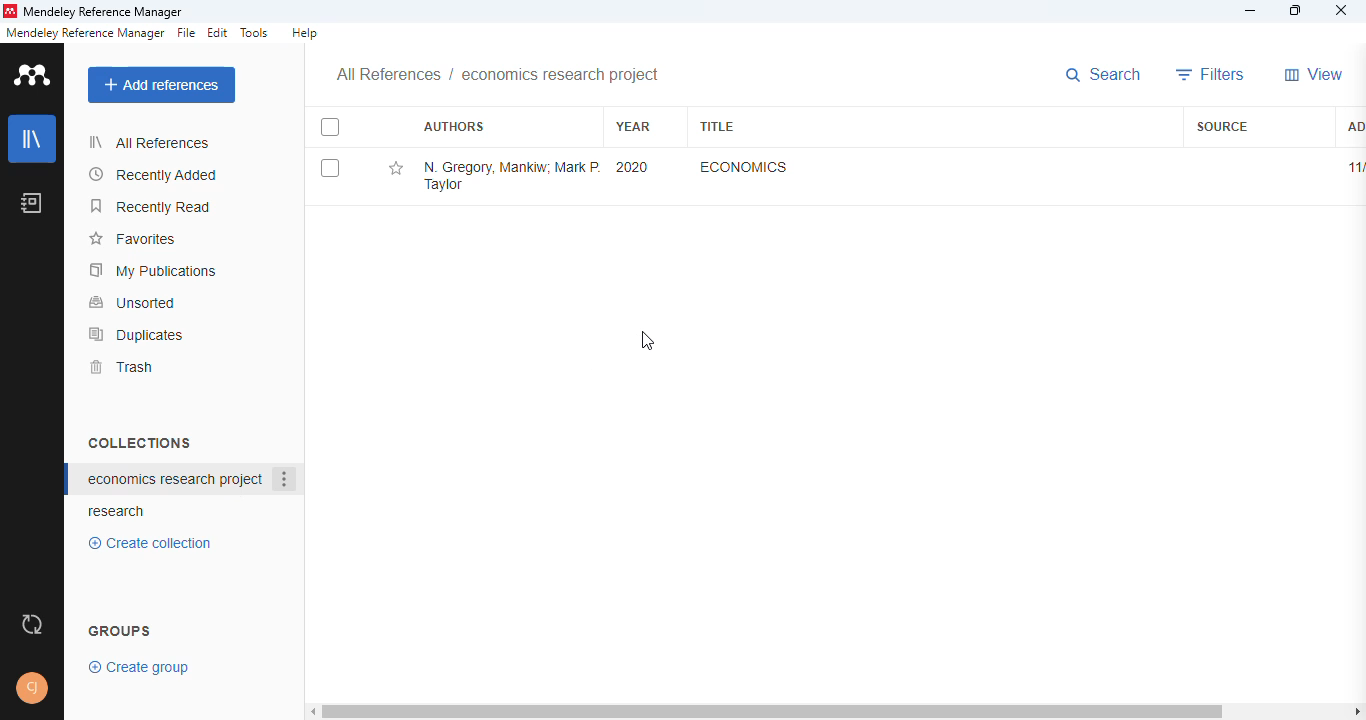  What do you see at coordinates (304, 33) in the screenshot?
I see `help` at bounding box center [304, 33].